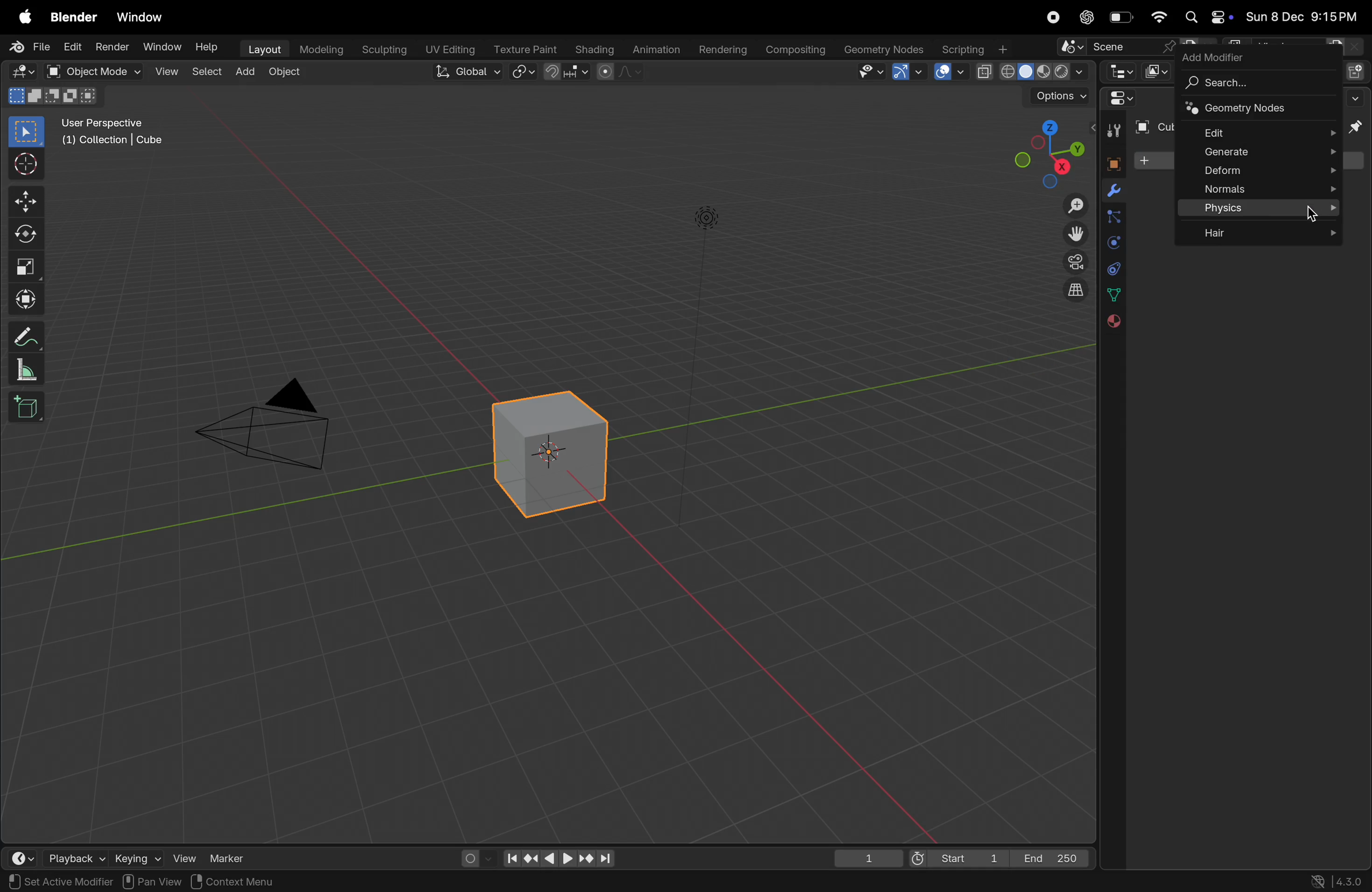 This screenshot has height=892, width=1372. What do you see at coordinates (22, 72) in the screenshot?
I see `editor type` at bounding box center [22, 72].